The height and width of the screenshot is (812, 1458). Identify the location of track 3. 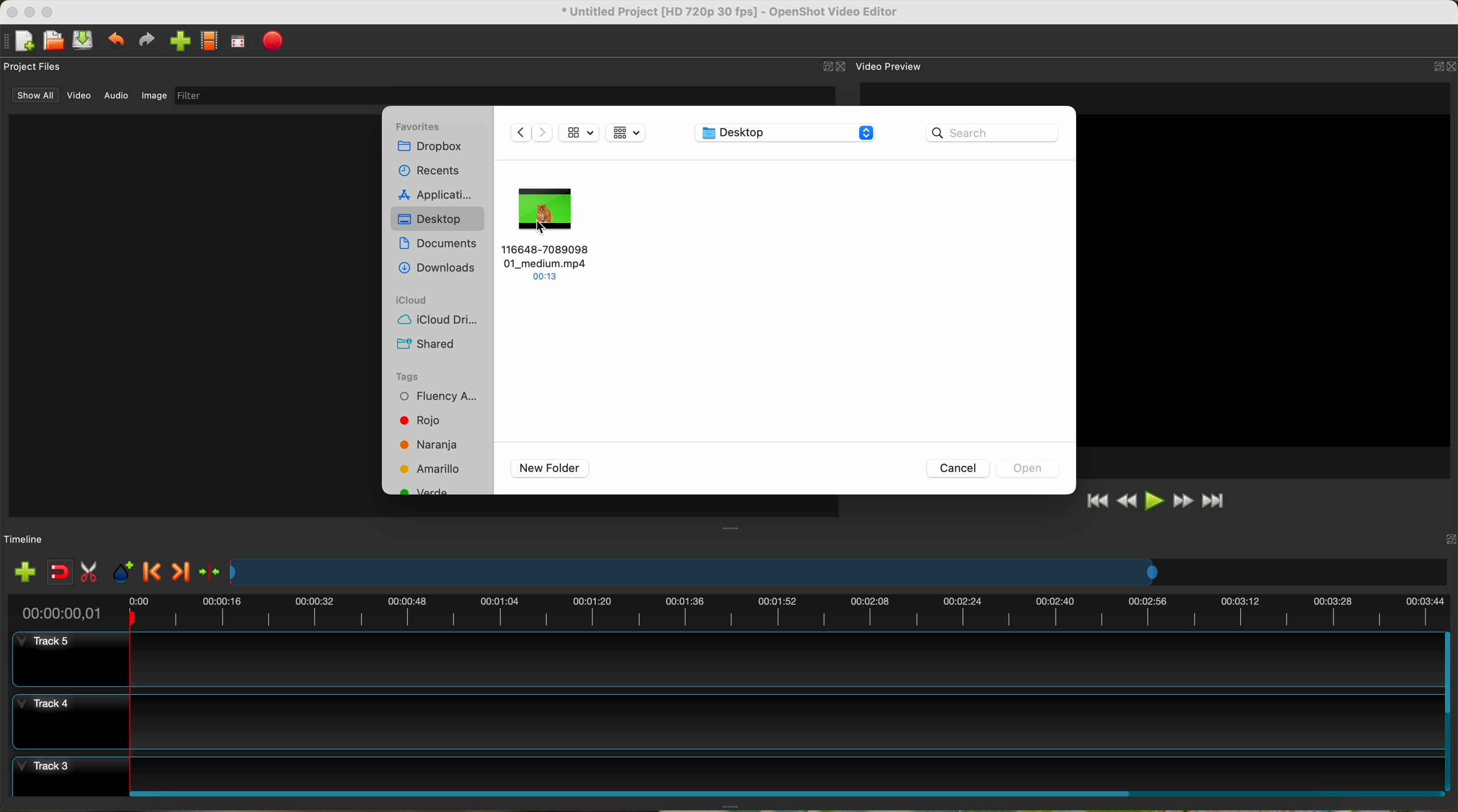
(726, 771).